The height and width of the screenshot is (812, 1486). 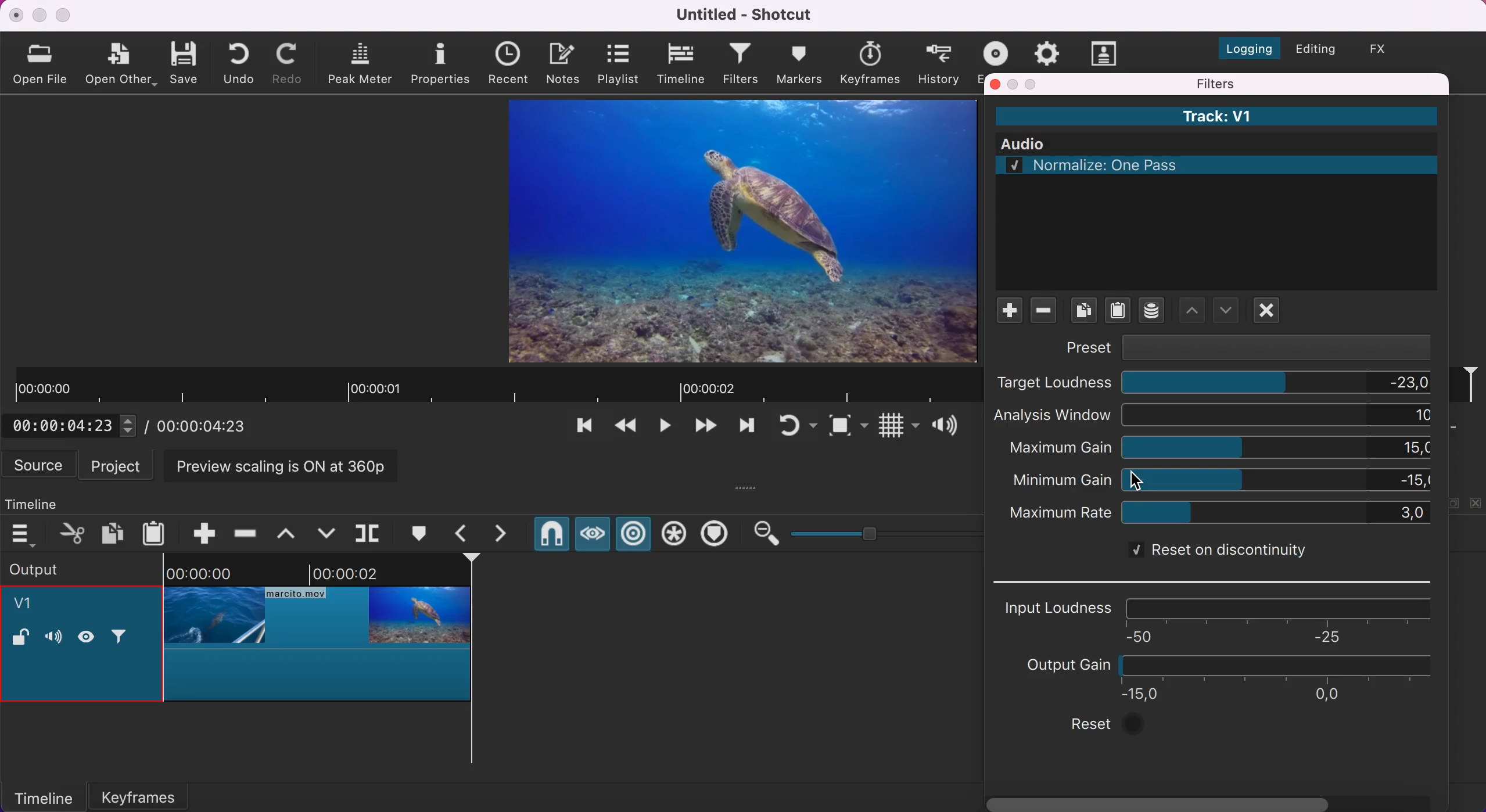 What do you see at coordinates (43, 796) in the screenshot?
I see `timeline` at bounding box center [43, 796].